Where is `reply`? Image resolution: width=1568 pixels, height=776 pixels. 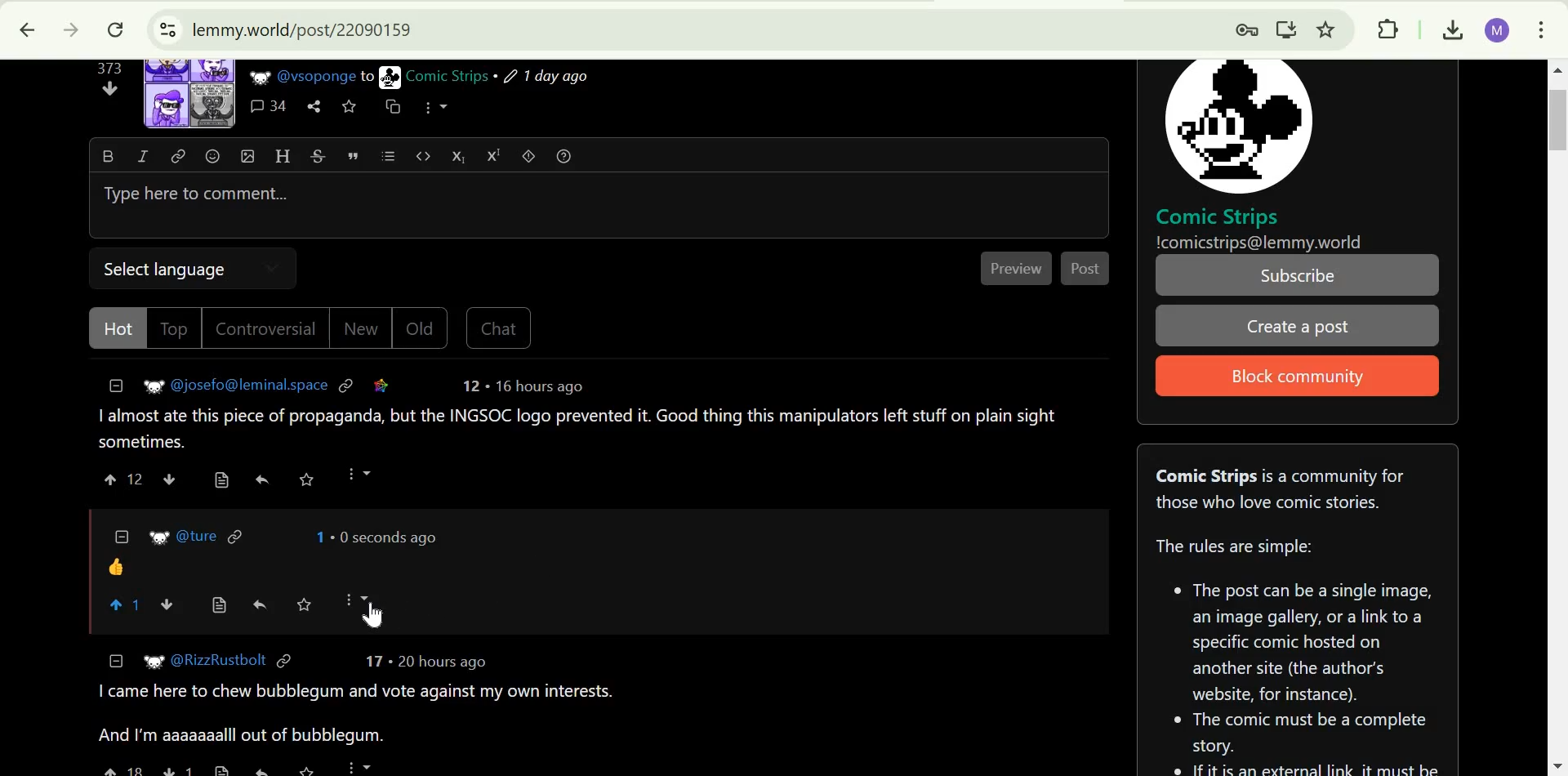 reply is located at coordinates (260, 605).